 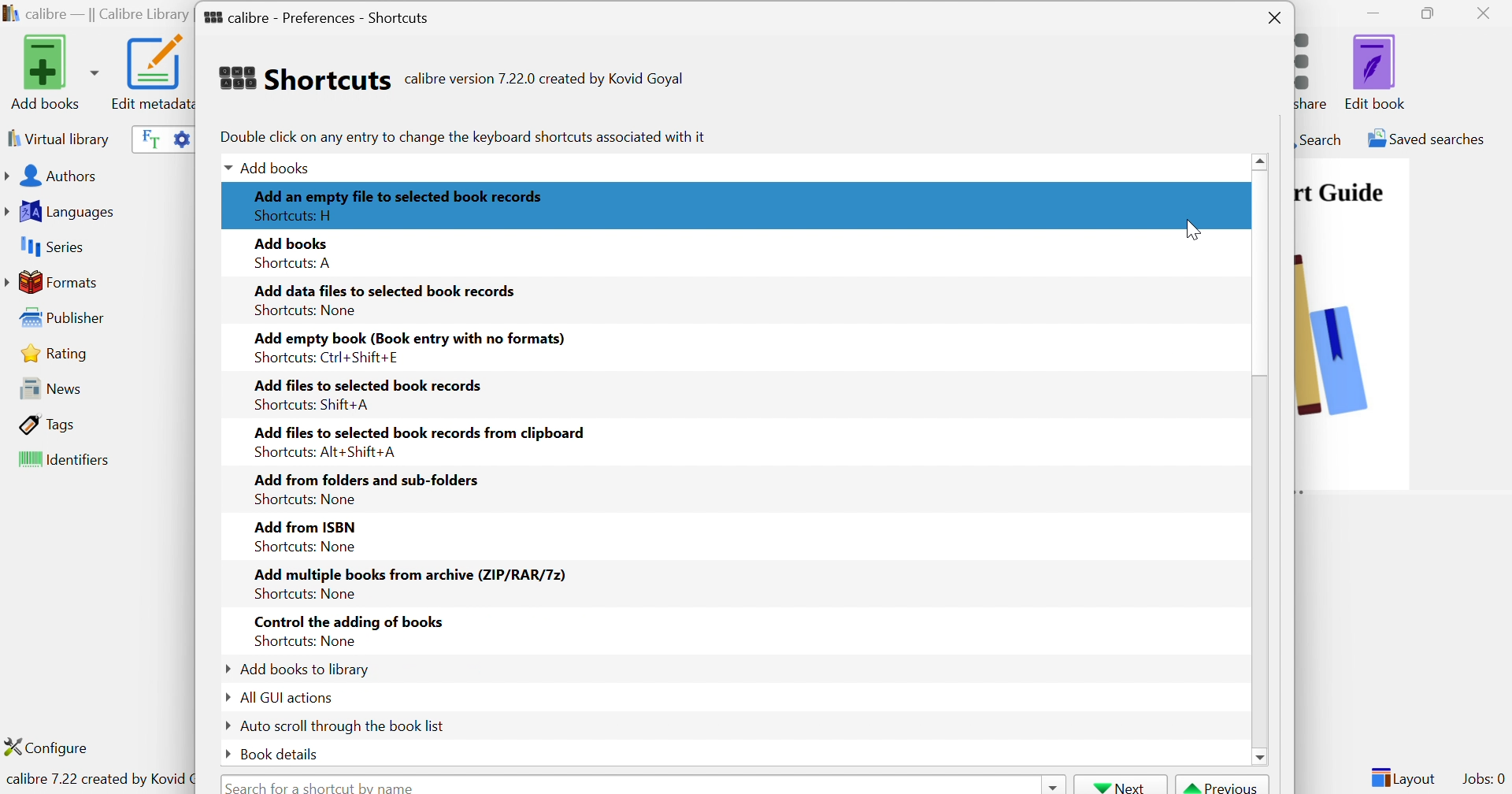 I want to click on Add books, so click(x=293, y=242).